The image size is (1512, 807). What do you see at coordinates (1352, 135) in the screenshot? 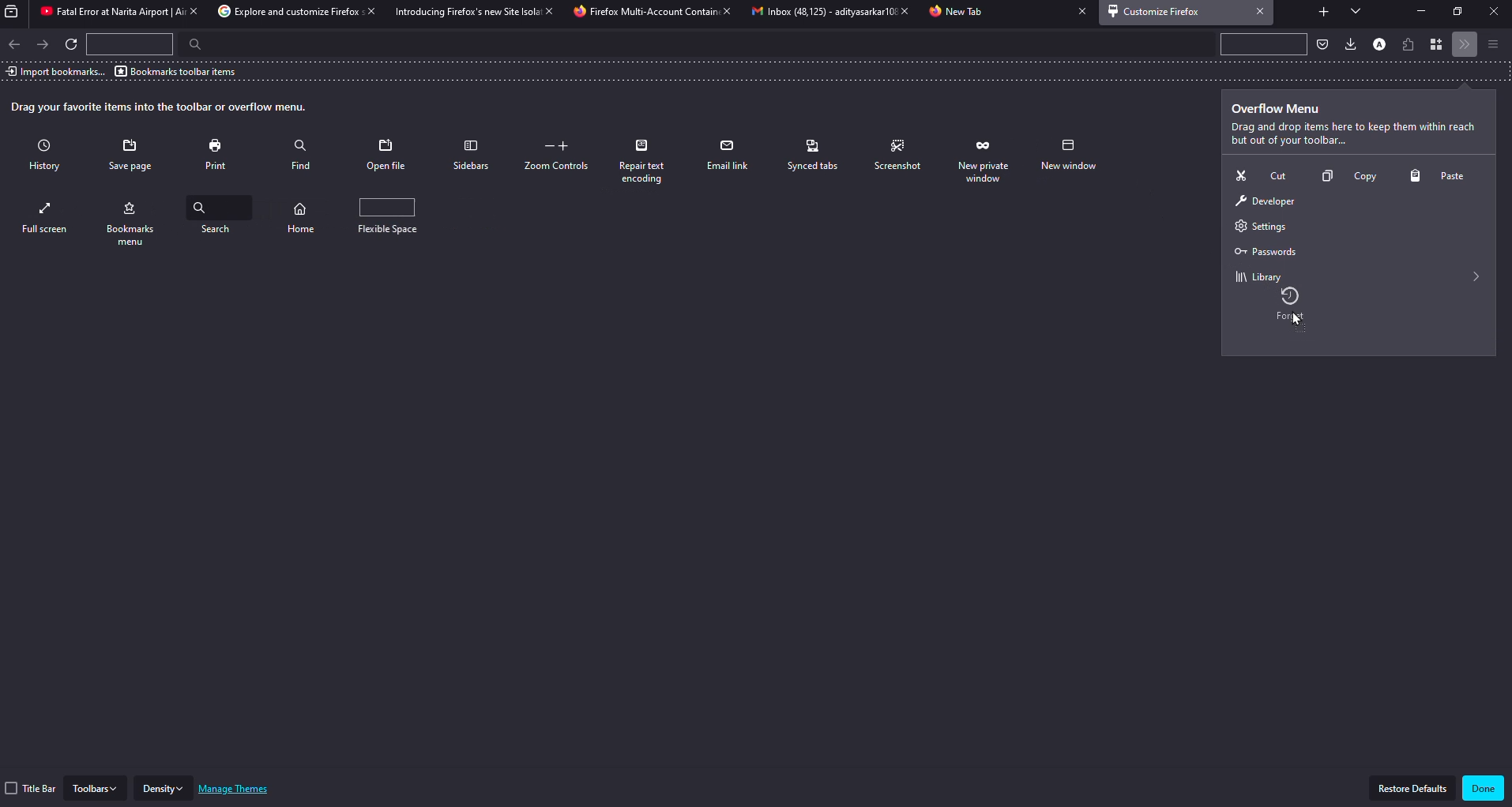
I see `info` at bounding box center [1352, 135].